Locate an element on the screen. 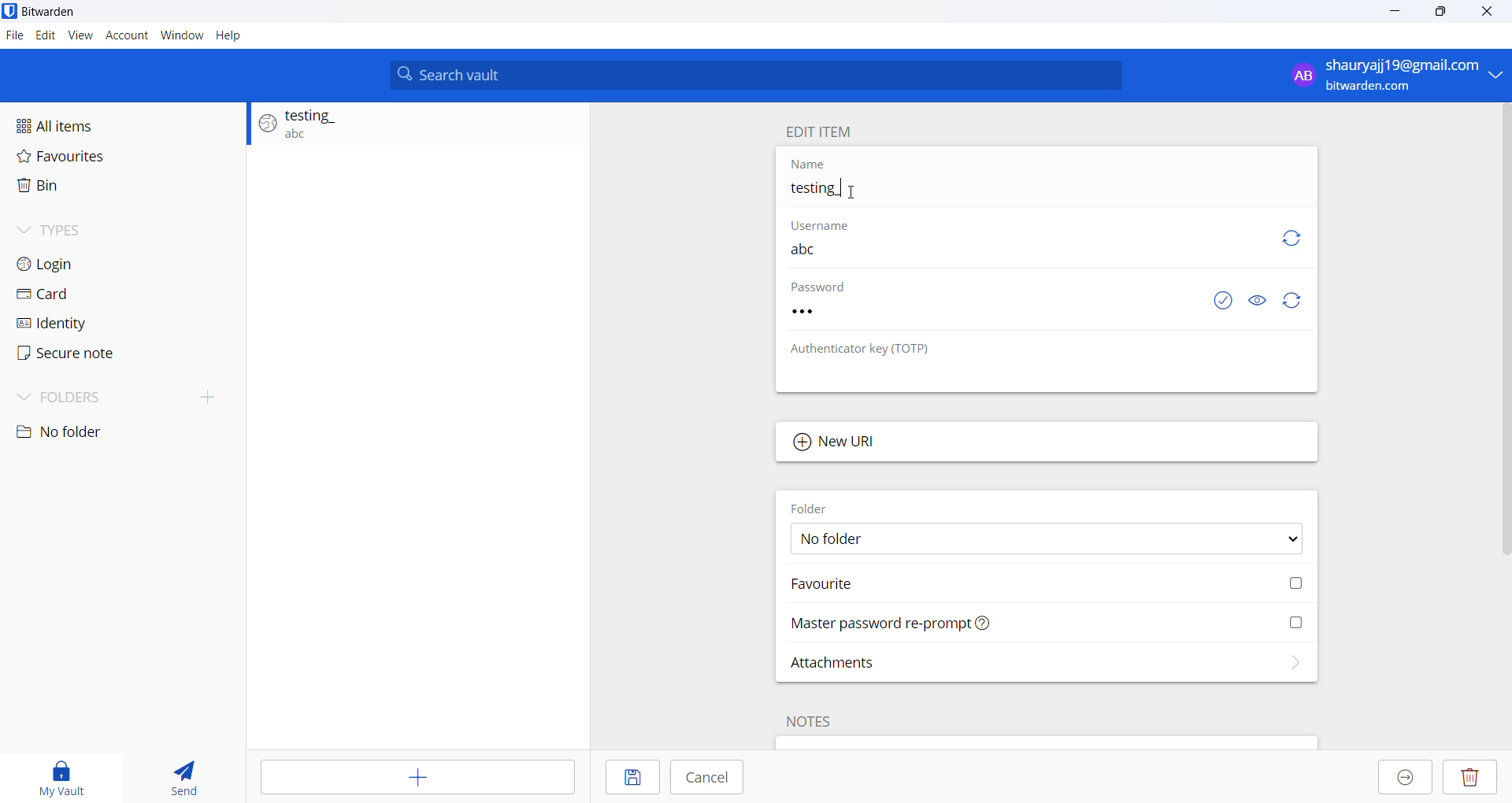  Password Heading is located at coordinates (820, 289).